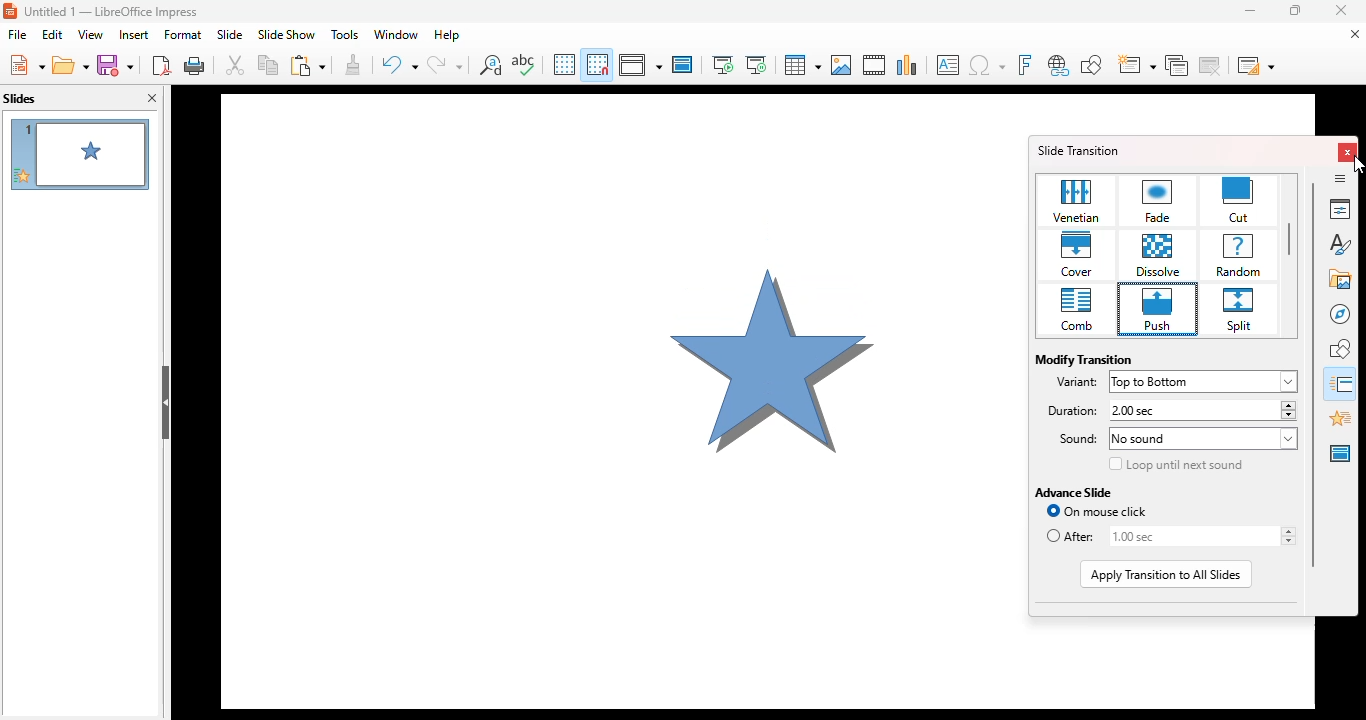 This screenshot has width=1366, height=720. I want to click on open, so click(70, 64).